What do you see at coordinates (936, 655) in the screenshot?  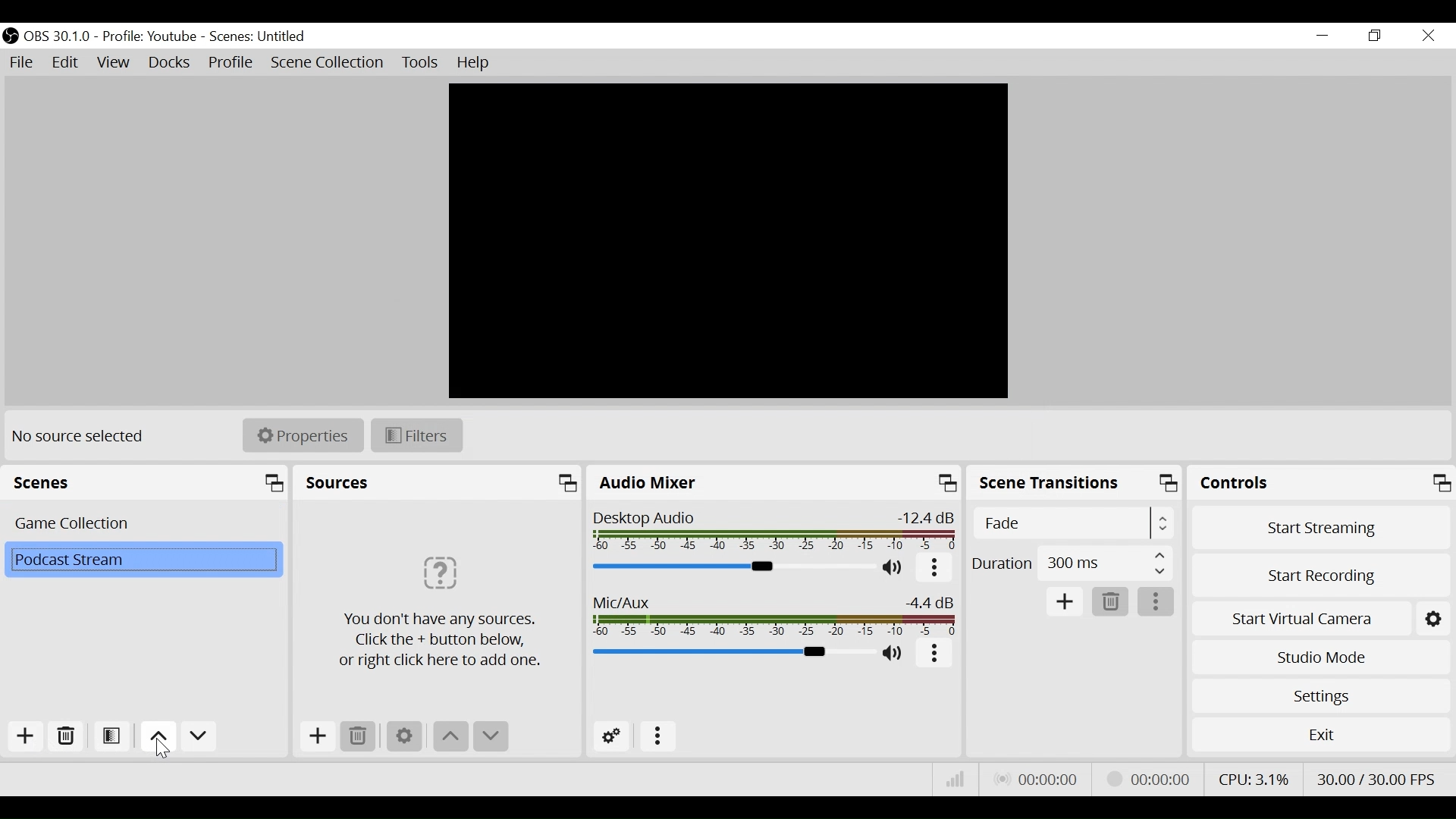 I see `more options` at bounding box center [936, 655].